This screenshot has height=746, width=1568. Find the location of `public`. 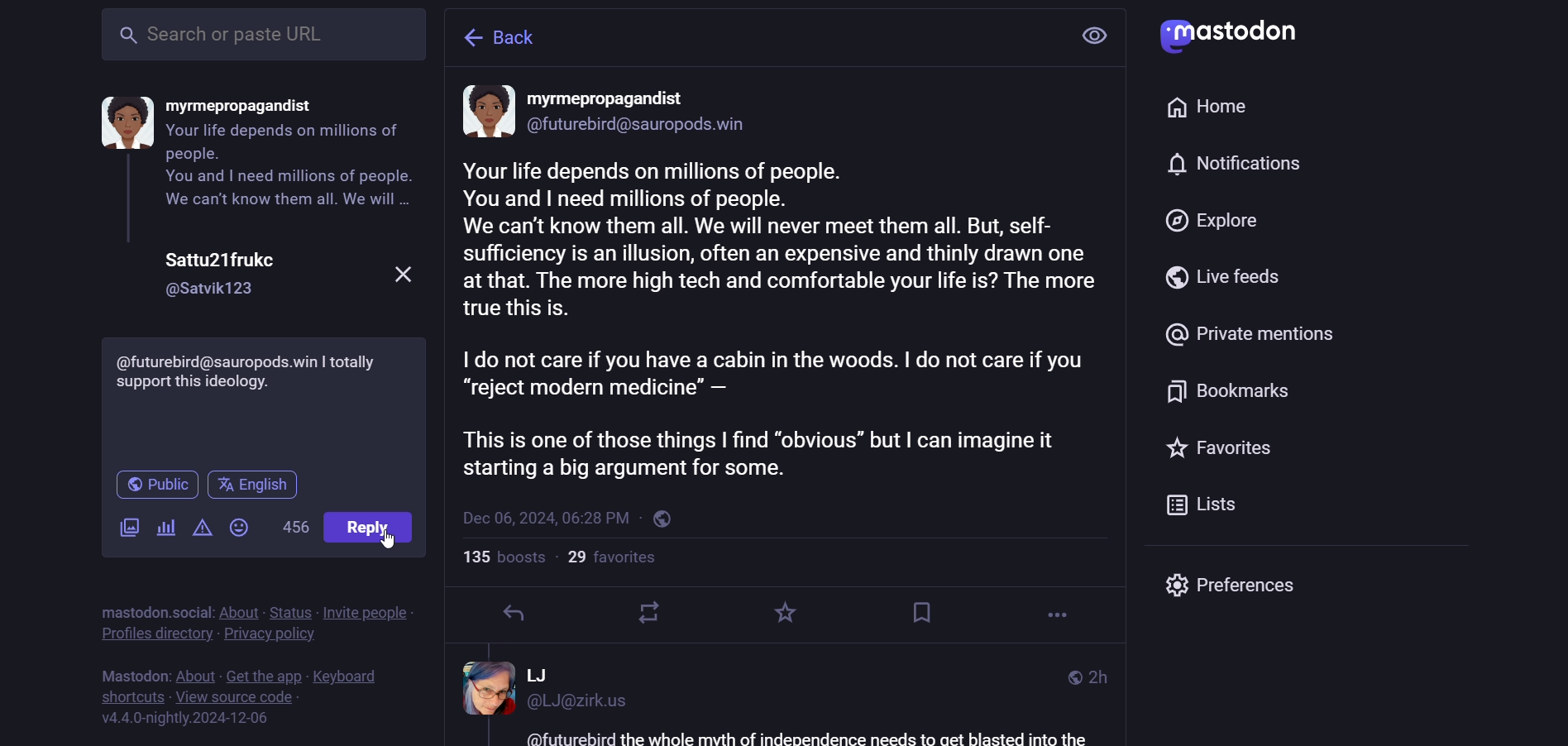

public is located at coordinates (666, 521).